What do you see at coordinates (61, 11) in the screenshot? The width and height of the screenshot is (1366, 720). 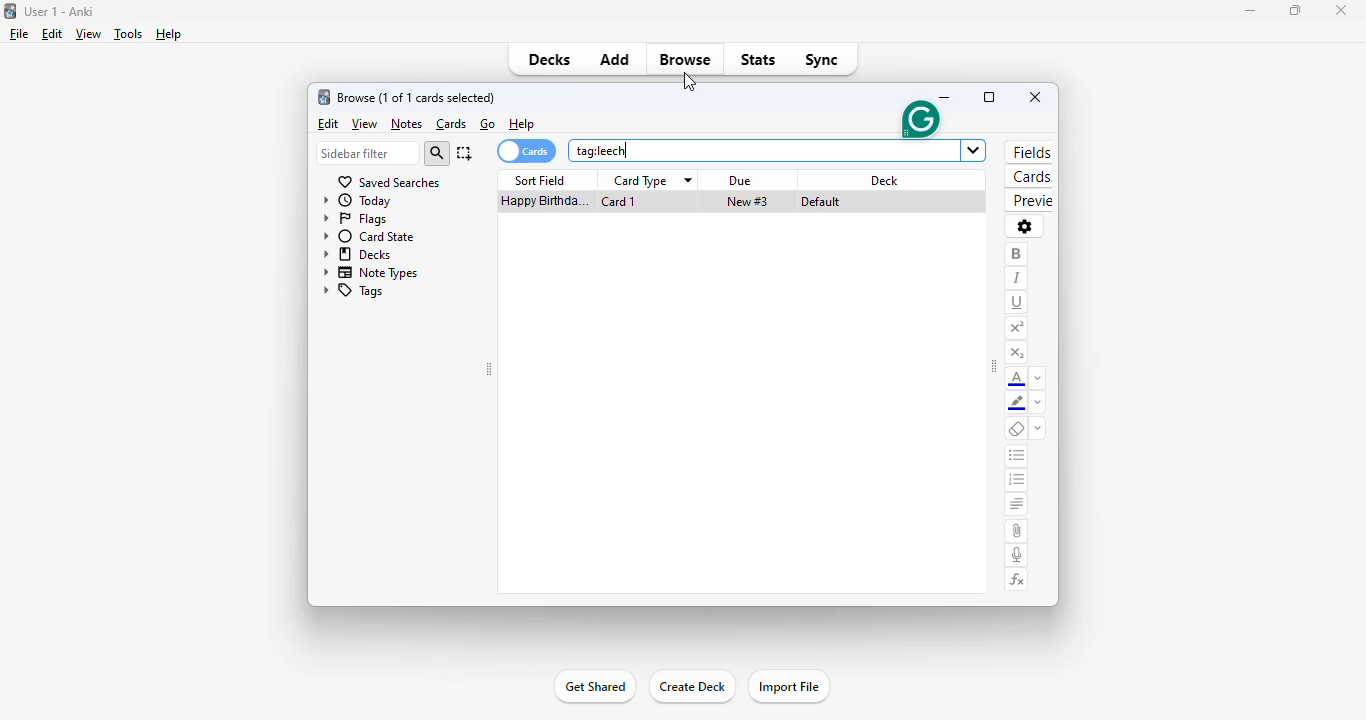 I see `title` at bounding box center [61, 11].